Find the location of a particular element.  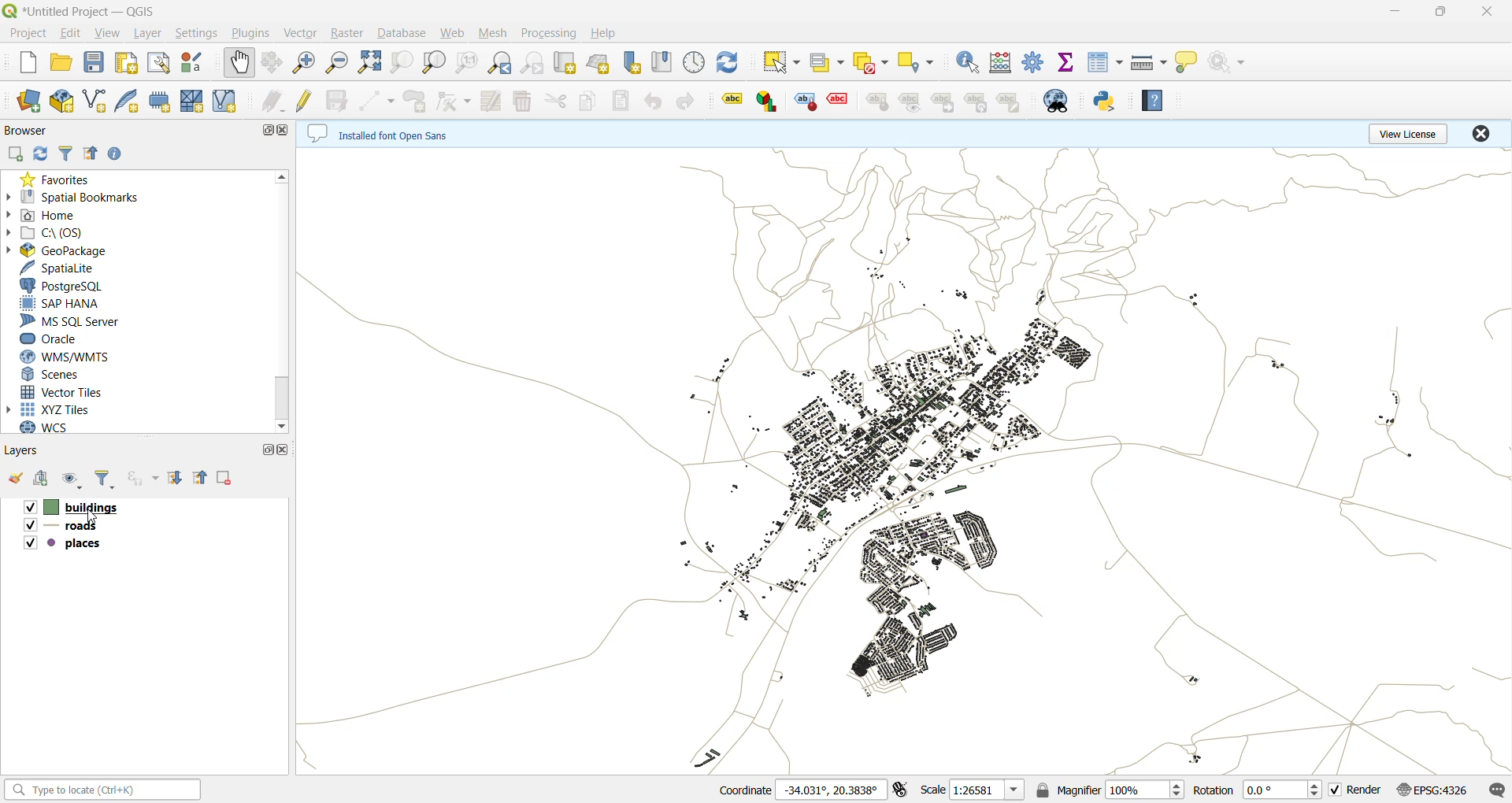

open data source manager is located at coordinates (31, 100).